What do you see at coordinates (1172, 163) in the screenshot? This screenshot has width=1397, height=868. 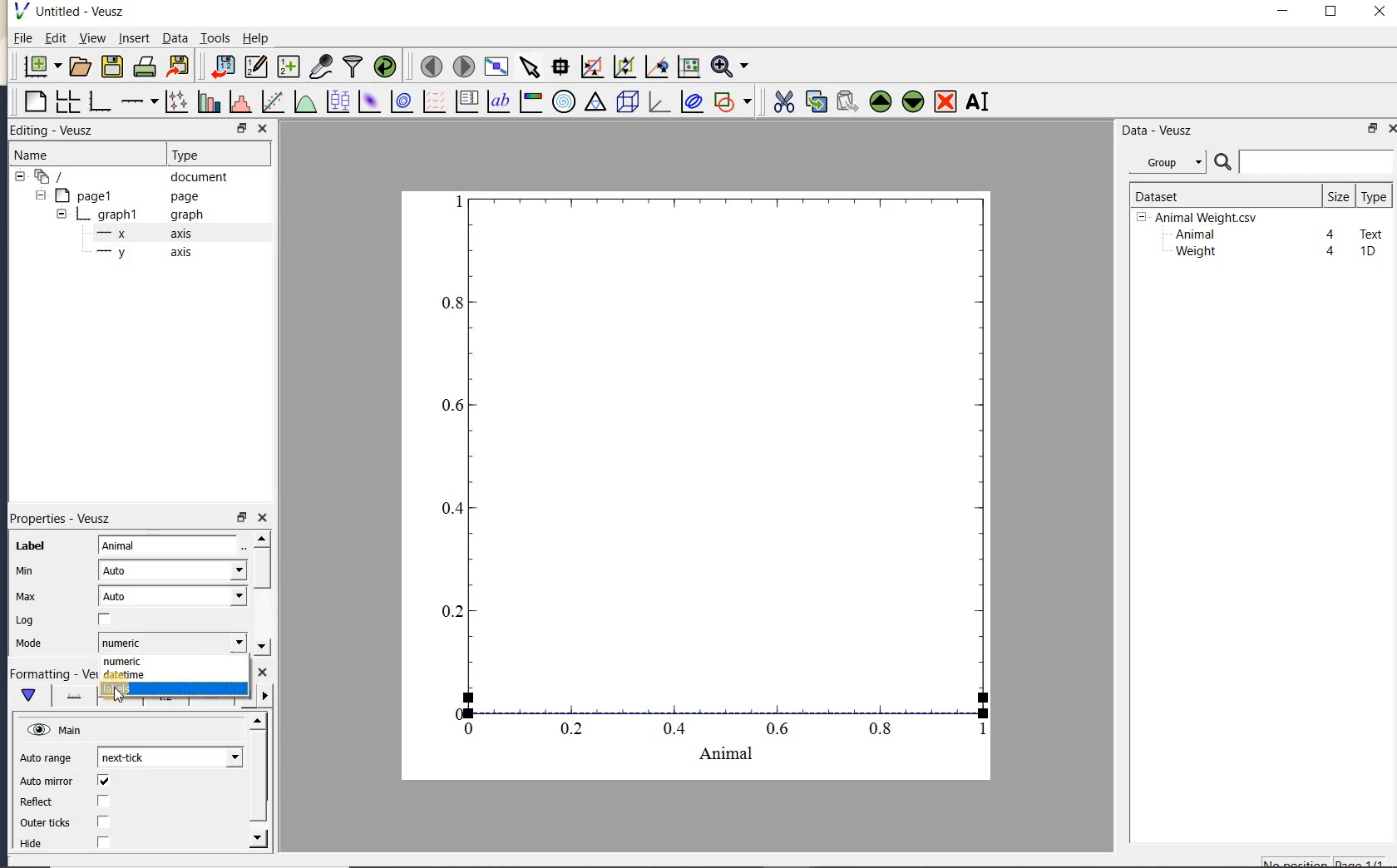 I see `Data - Veusz` at bounding box center [1172, 163].